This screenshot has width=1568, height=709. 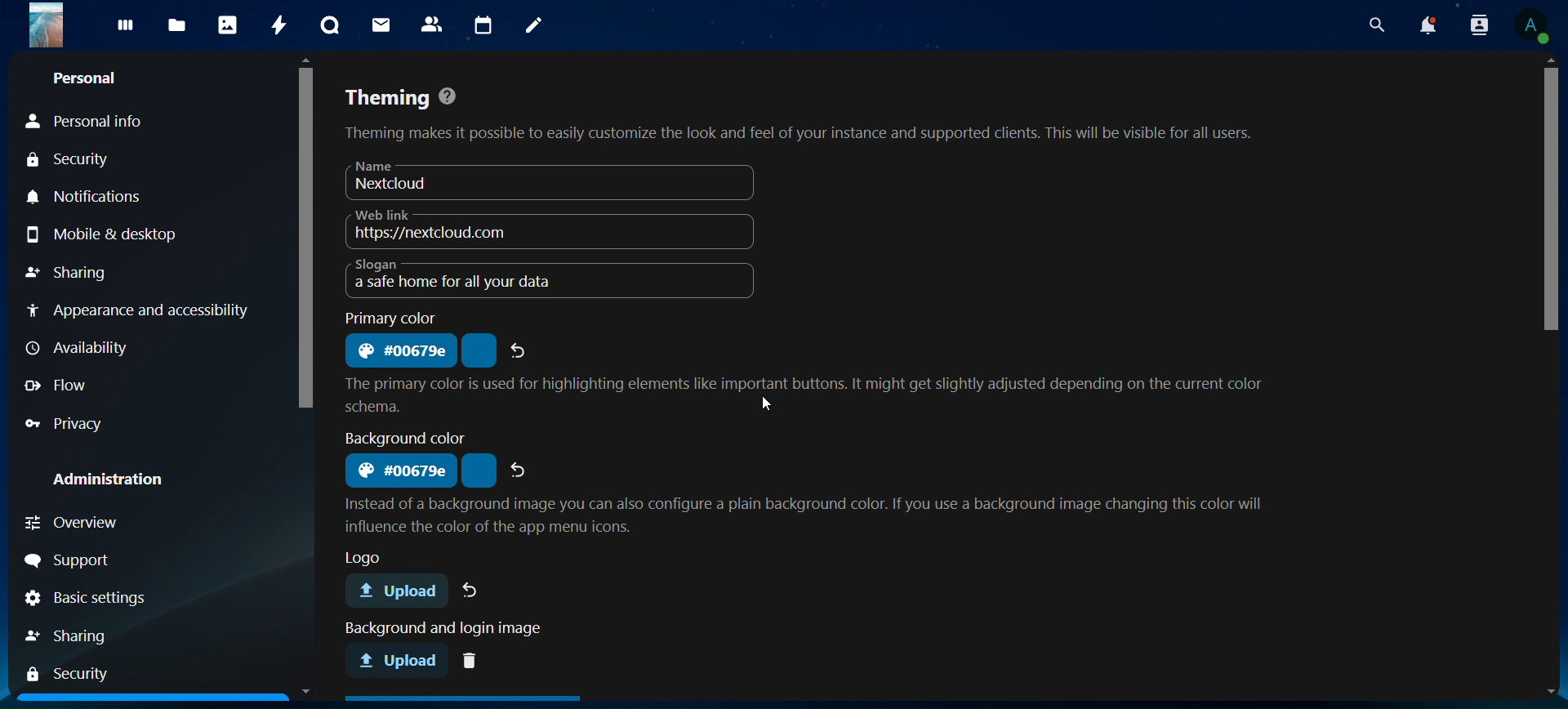 I want to click on basic settings, so click(x=112, y=600).